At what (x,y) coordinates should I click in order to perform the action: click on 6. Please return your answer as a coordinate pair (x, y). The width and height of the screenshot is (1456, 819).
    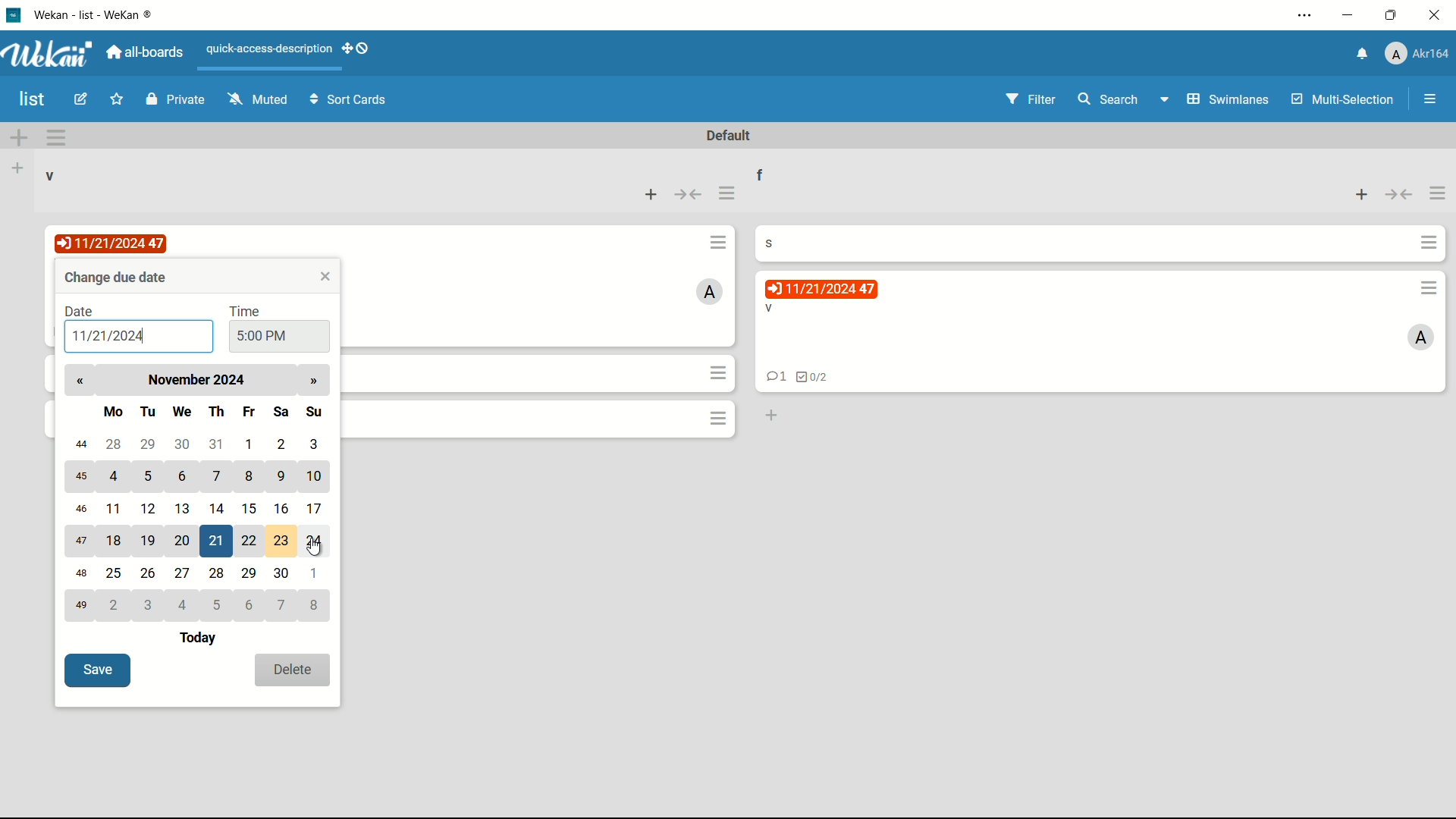
    Looking at the image, I should click on (248, 605).